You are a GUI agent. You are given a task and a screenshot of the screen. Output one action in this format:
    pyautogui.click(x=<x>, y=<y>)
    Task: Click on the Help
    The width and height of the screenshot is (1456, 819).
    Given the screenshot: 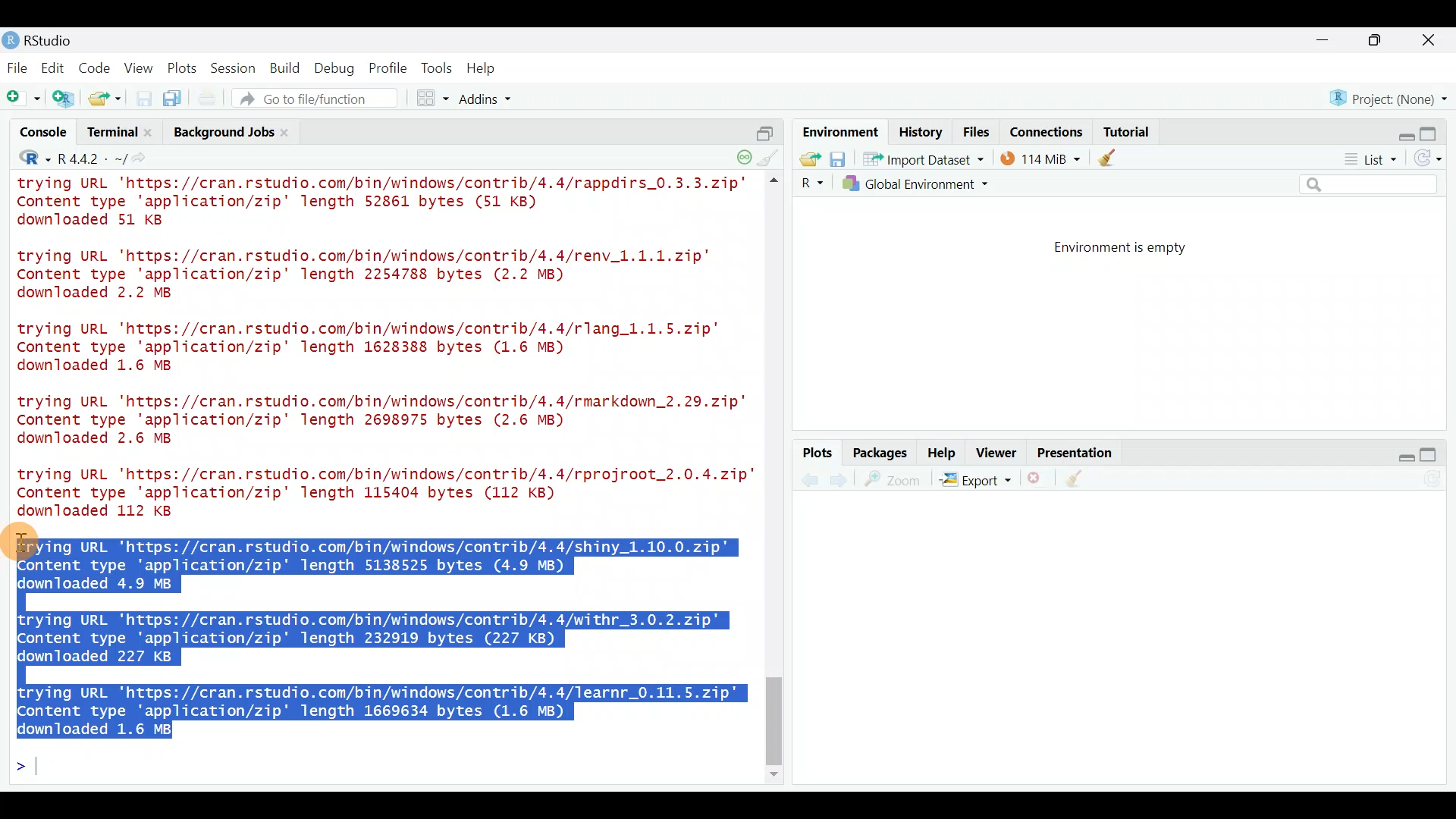 What is the action you would take?
    pyautogui.click(x=943, y=451)
    